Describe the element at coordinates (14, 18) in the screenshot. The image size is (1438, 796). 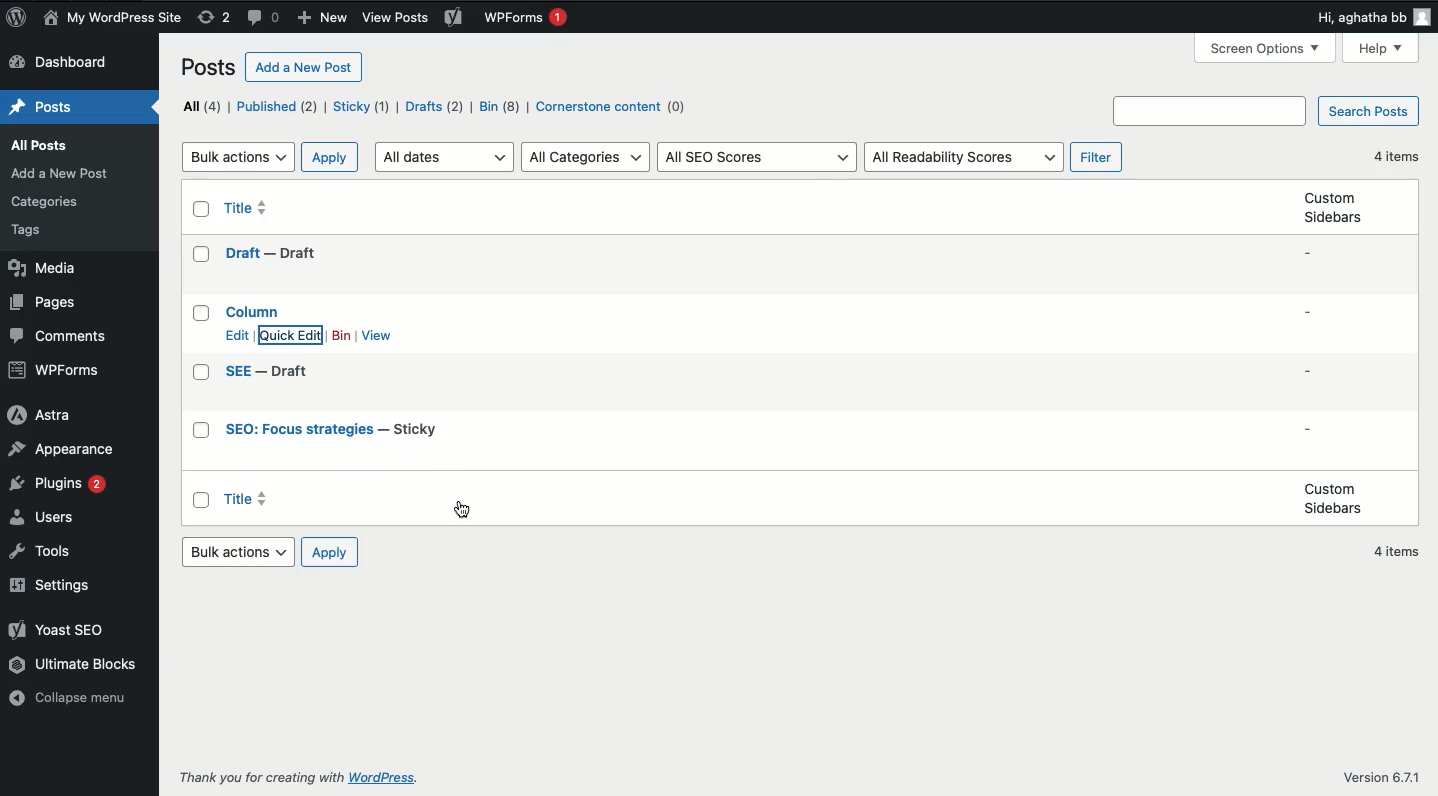
I see `Logo` at that location.